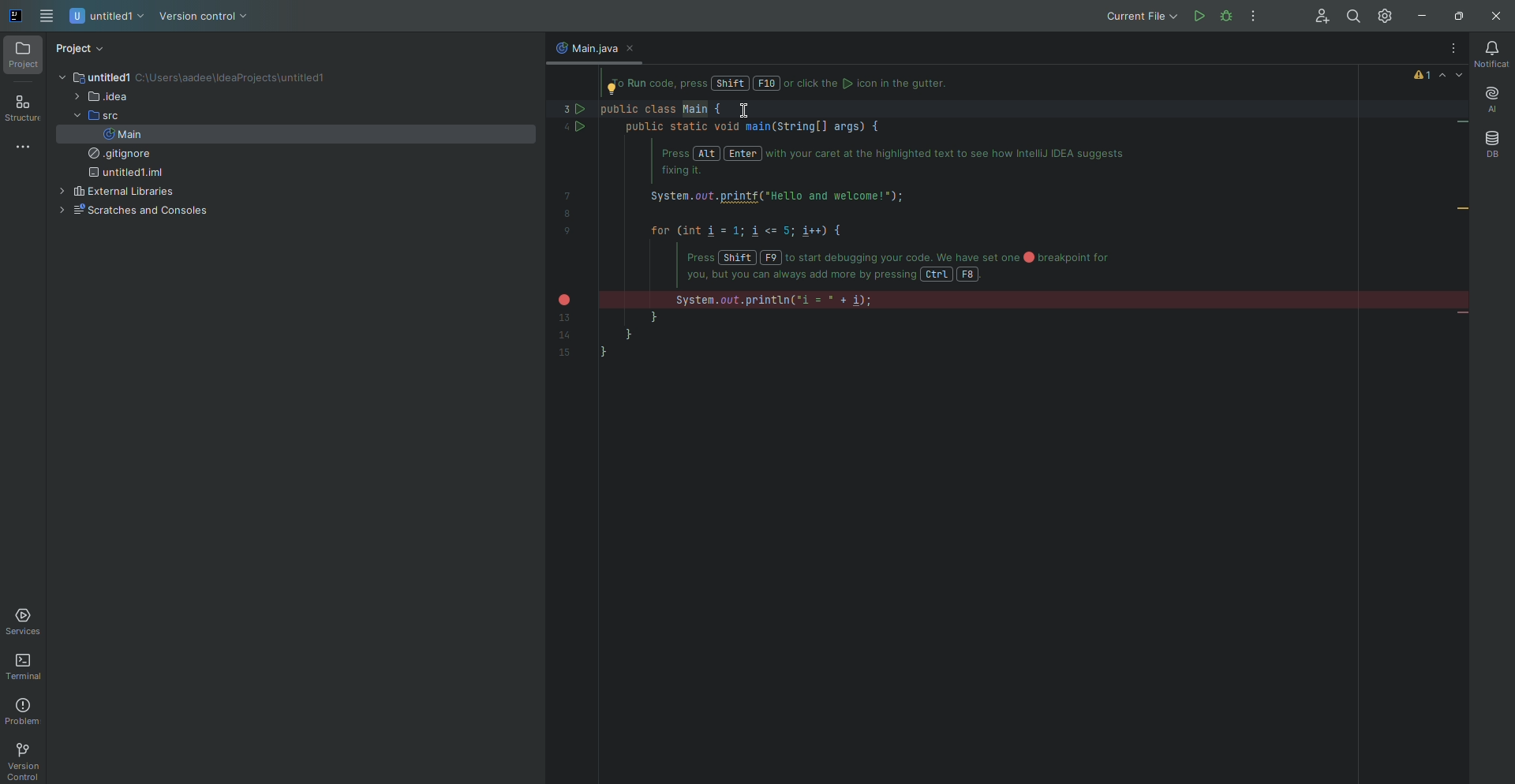  I want to click on Find, so click(1352, 17).